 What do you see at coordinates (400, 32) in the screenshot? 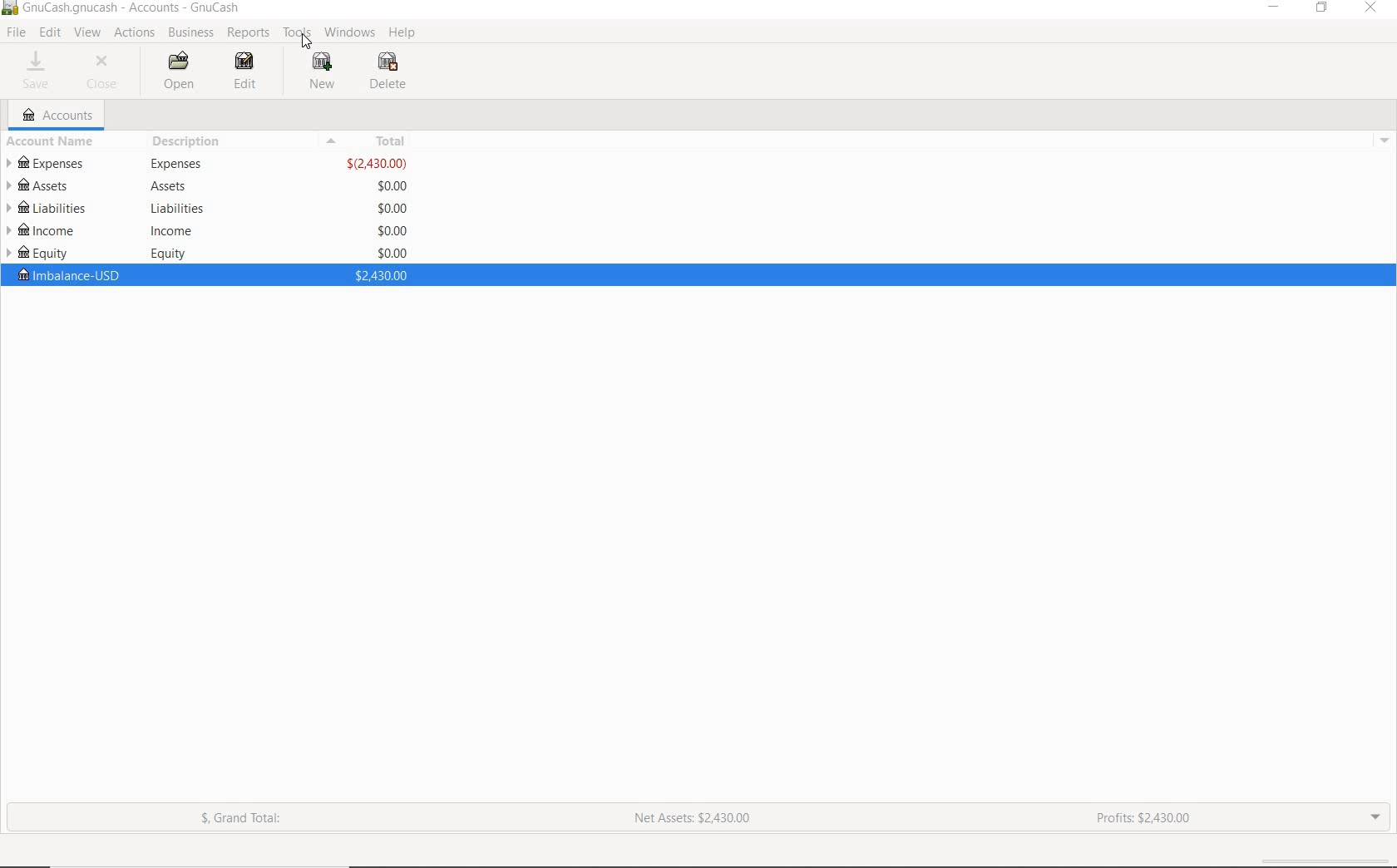
I see `HELP` at bounding box center [400, 32].